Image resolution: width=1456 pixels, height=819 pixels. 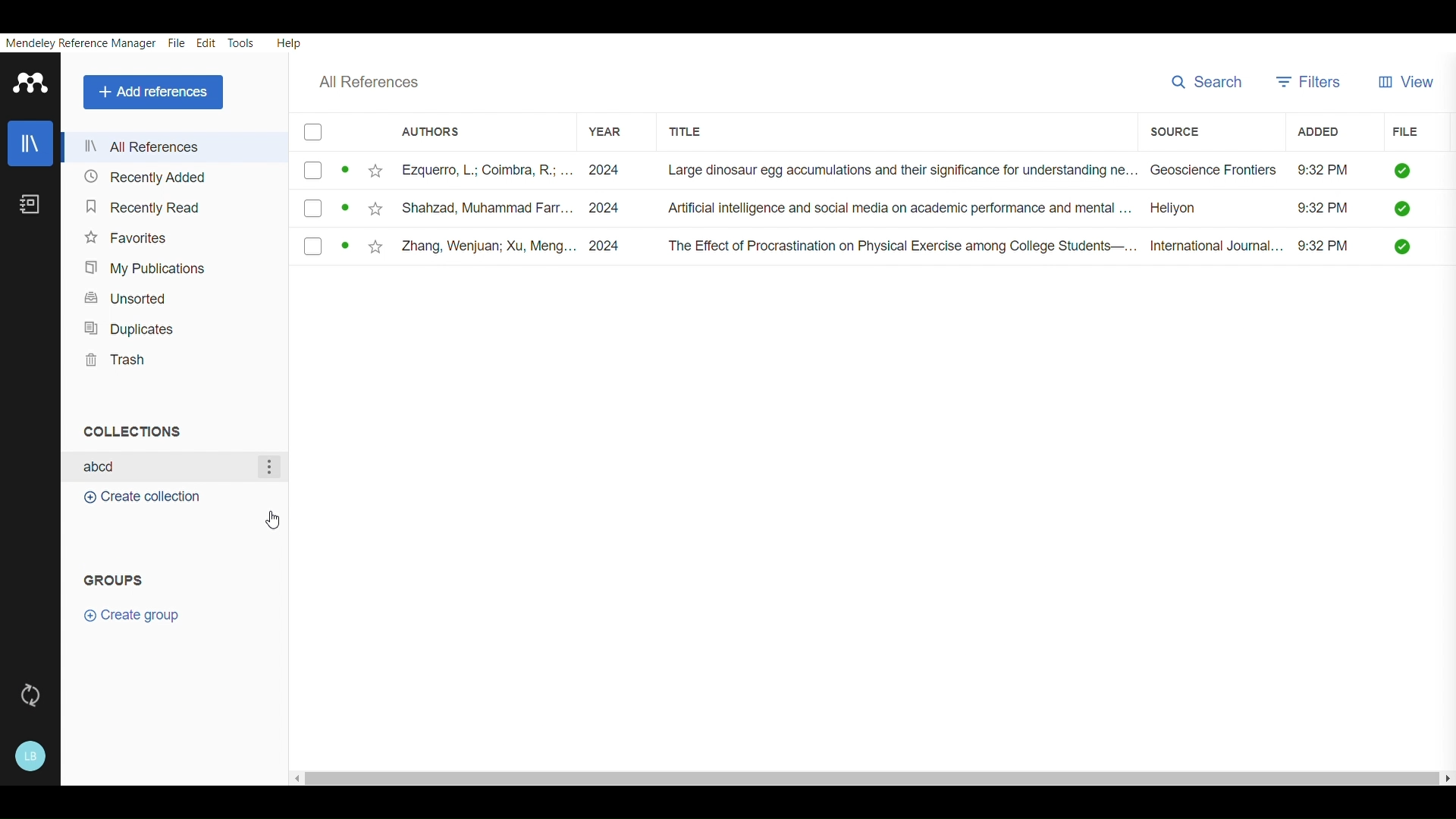 I want to click on All references, so click(x=380, y=81).